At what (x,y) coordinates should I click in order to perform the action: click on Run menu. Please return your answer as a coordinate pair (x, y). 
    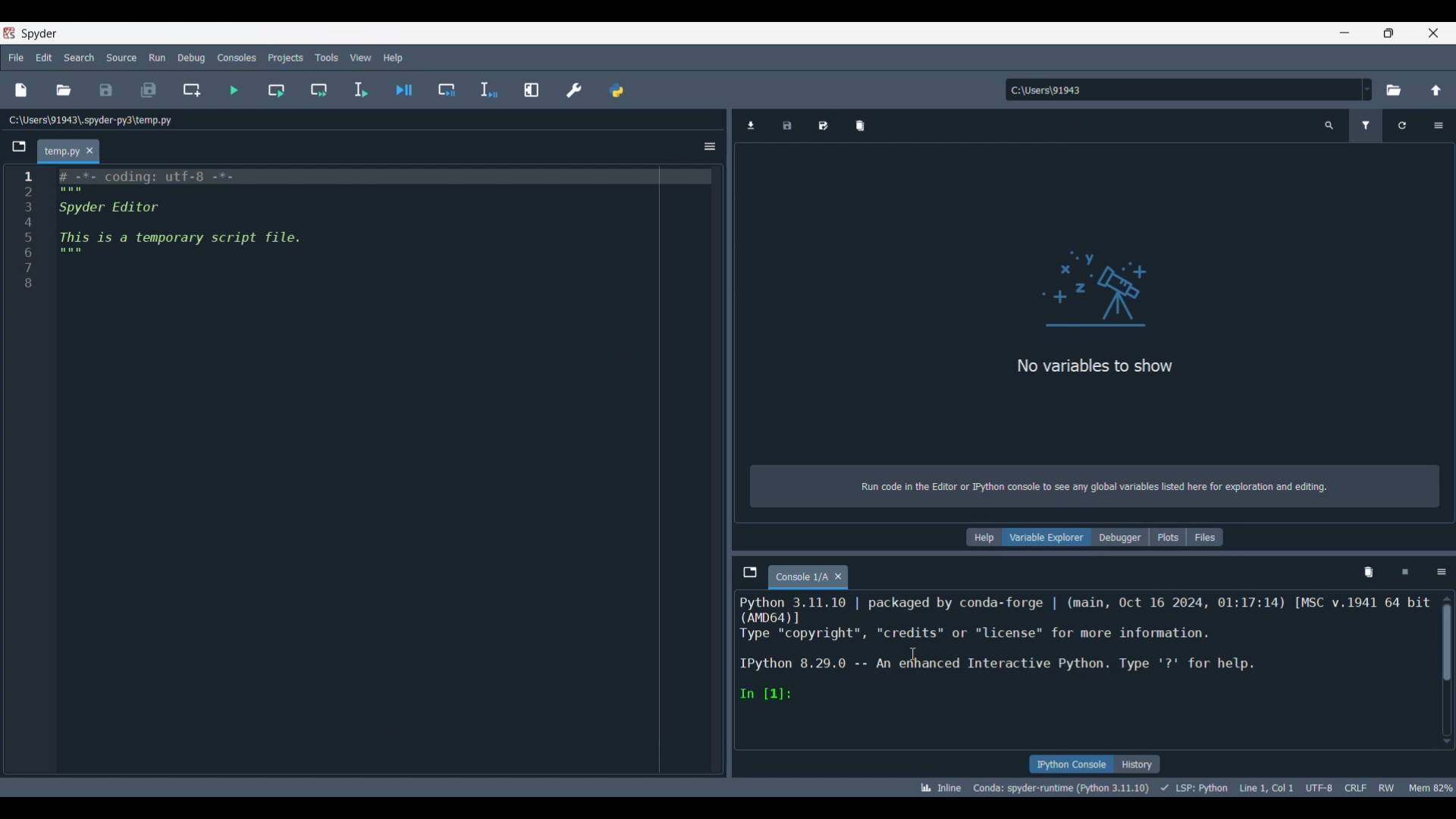
    Looking at the image, I should click on (158, 58).